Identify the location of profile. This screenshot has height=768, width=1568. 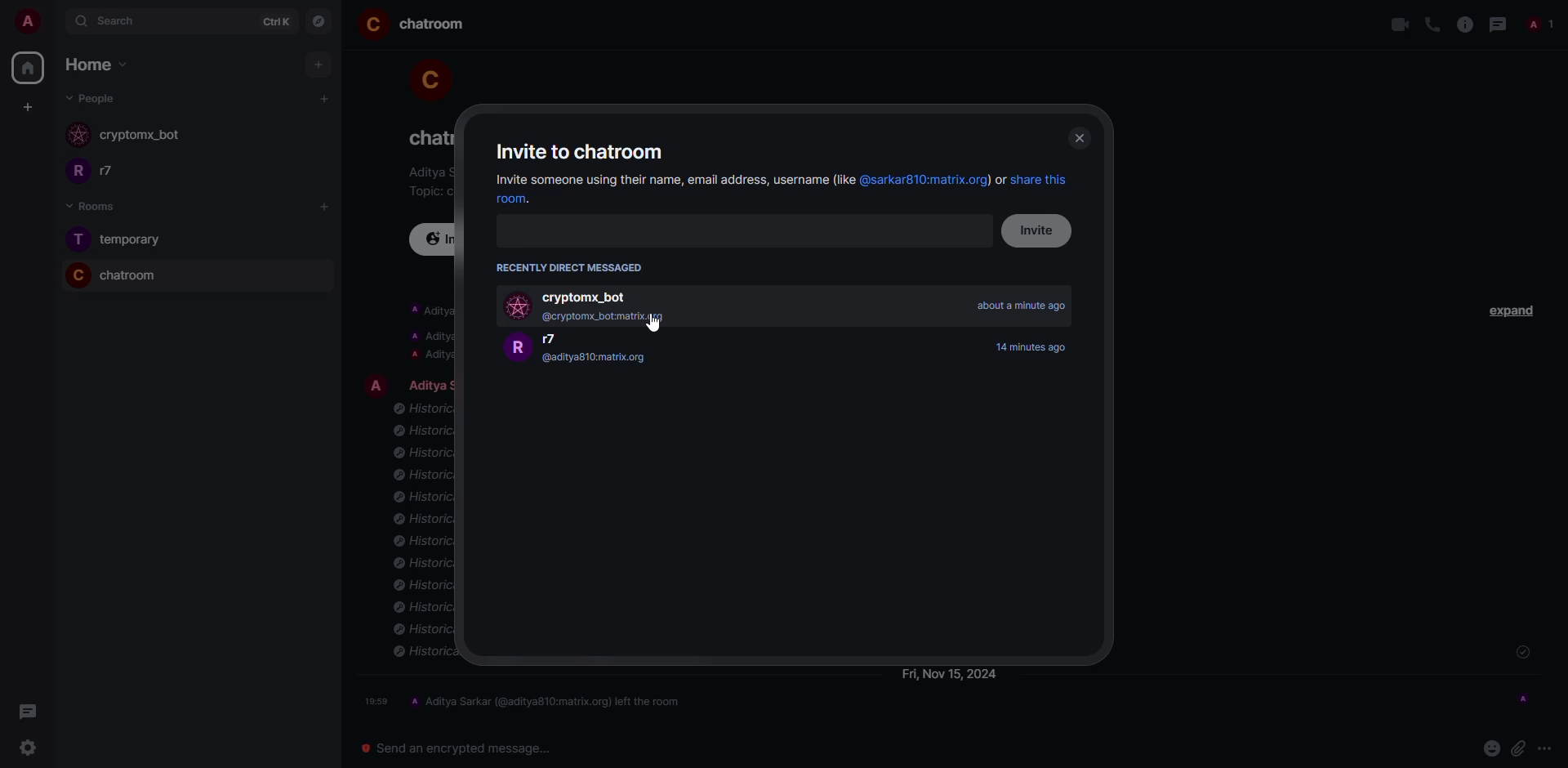
(376, 384).